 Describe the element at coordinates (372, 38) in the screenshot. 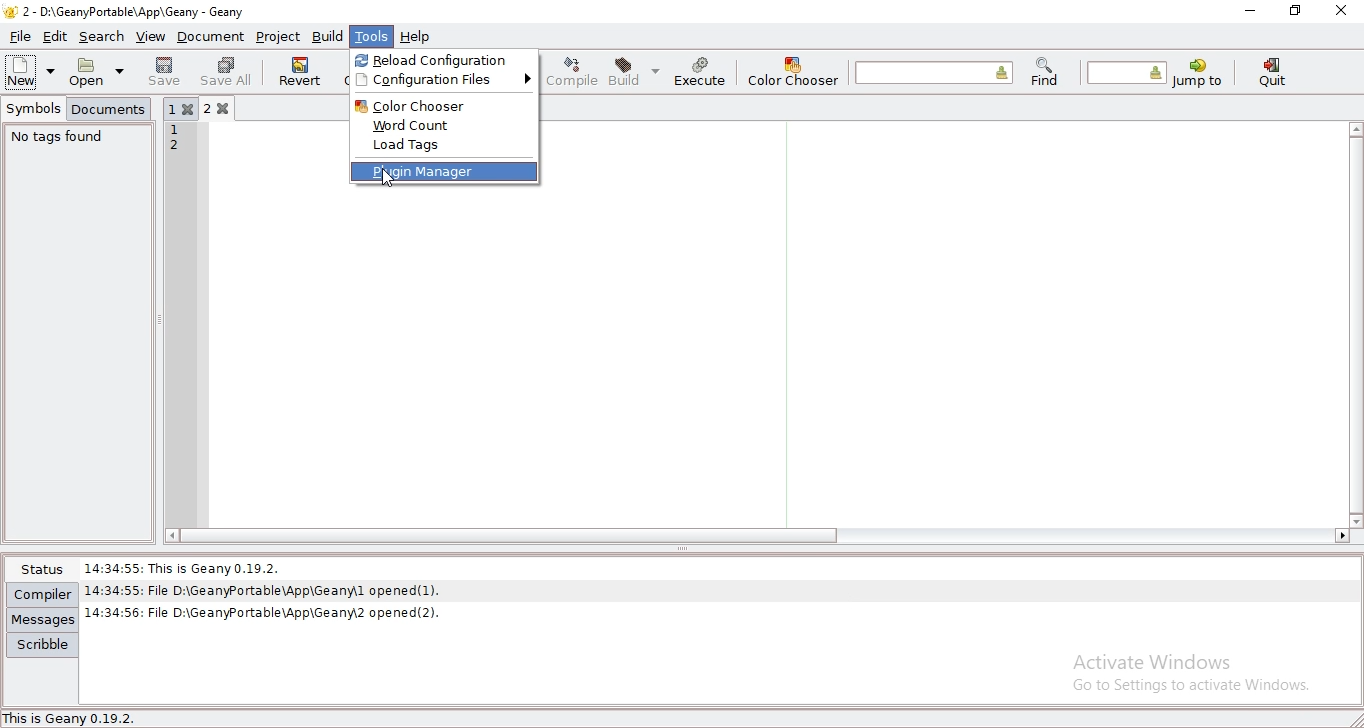

I see `tools` at that location.